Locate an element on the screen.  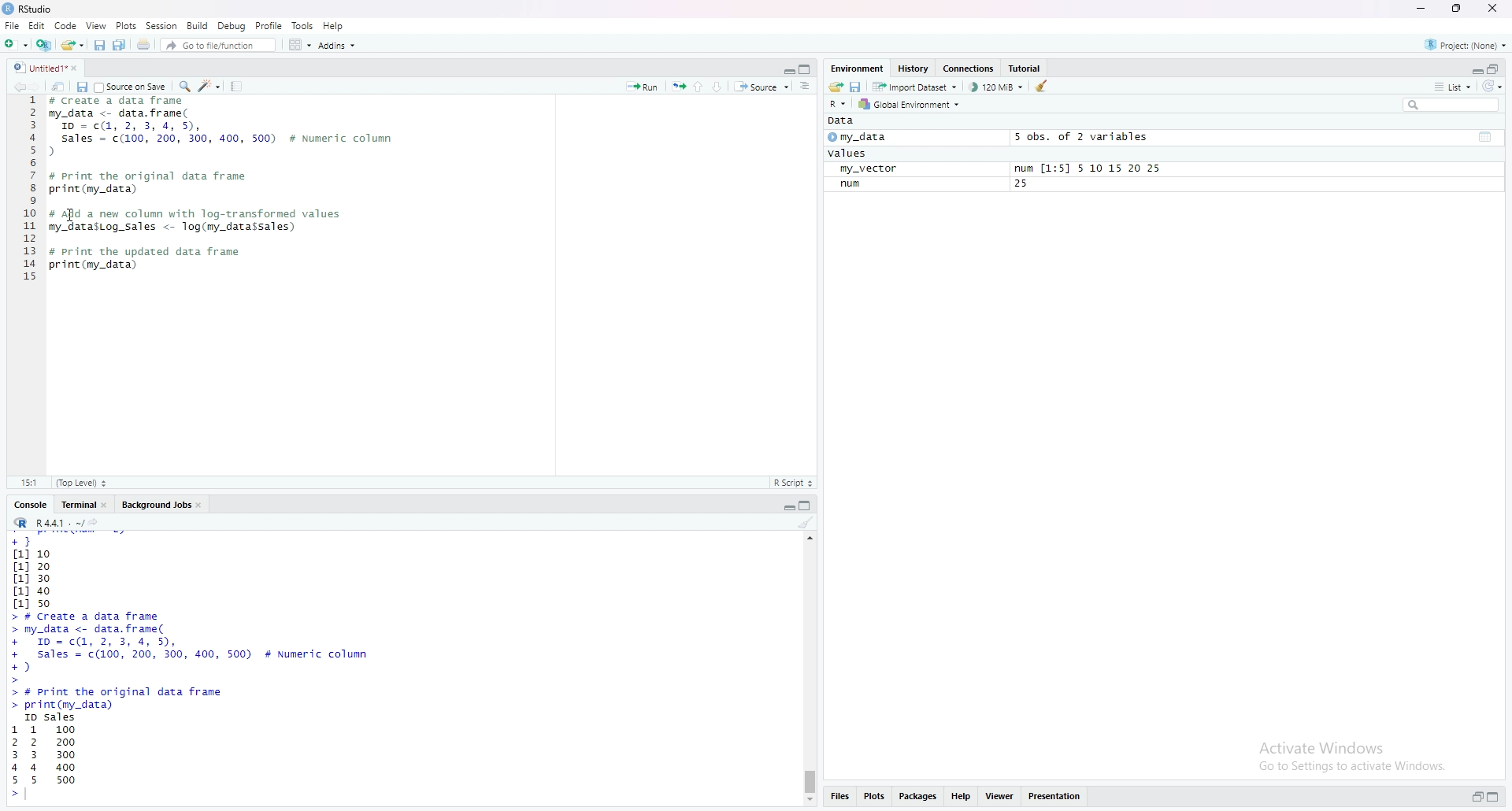
typing cursor is located at coordinates (35, 797).